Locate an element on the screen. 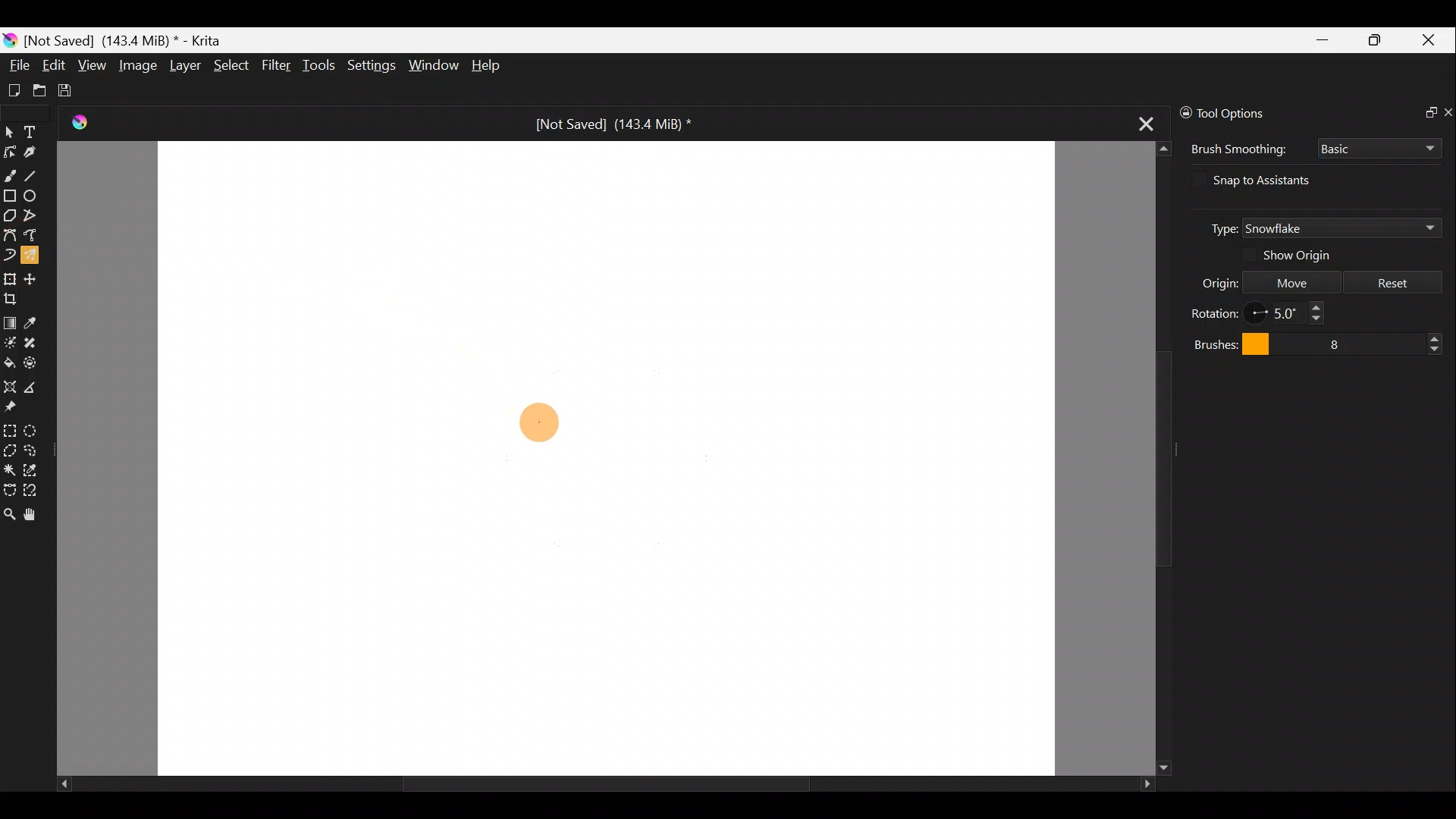  Origin is located at coordinates (1206, 281).